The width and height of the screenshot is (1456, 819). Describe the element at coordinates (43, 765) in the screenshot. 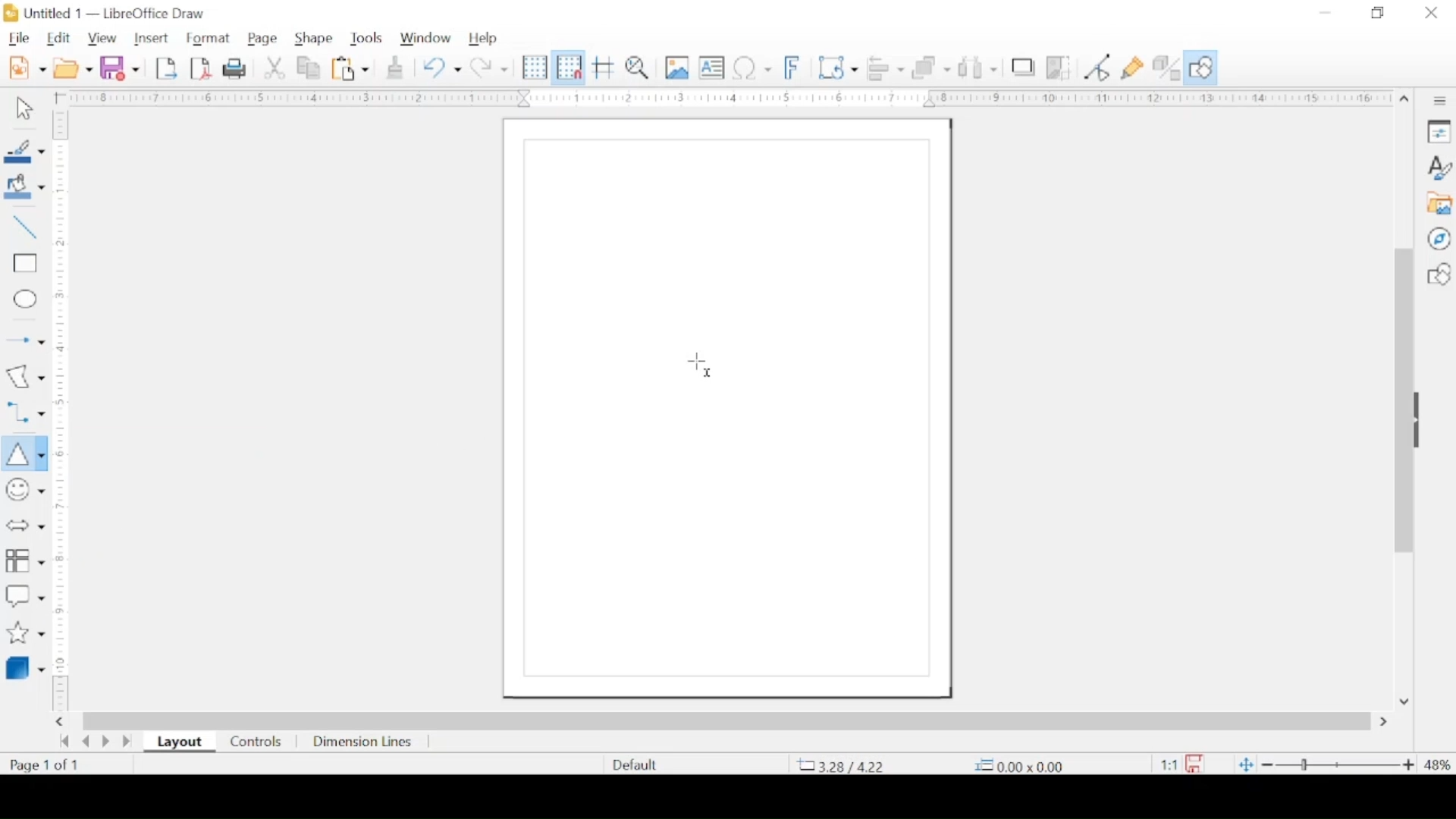

I see `page count` at that location.